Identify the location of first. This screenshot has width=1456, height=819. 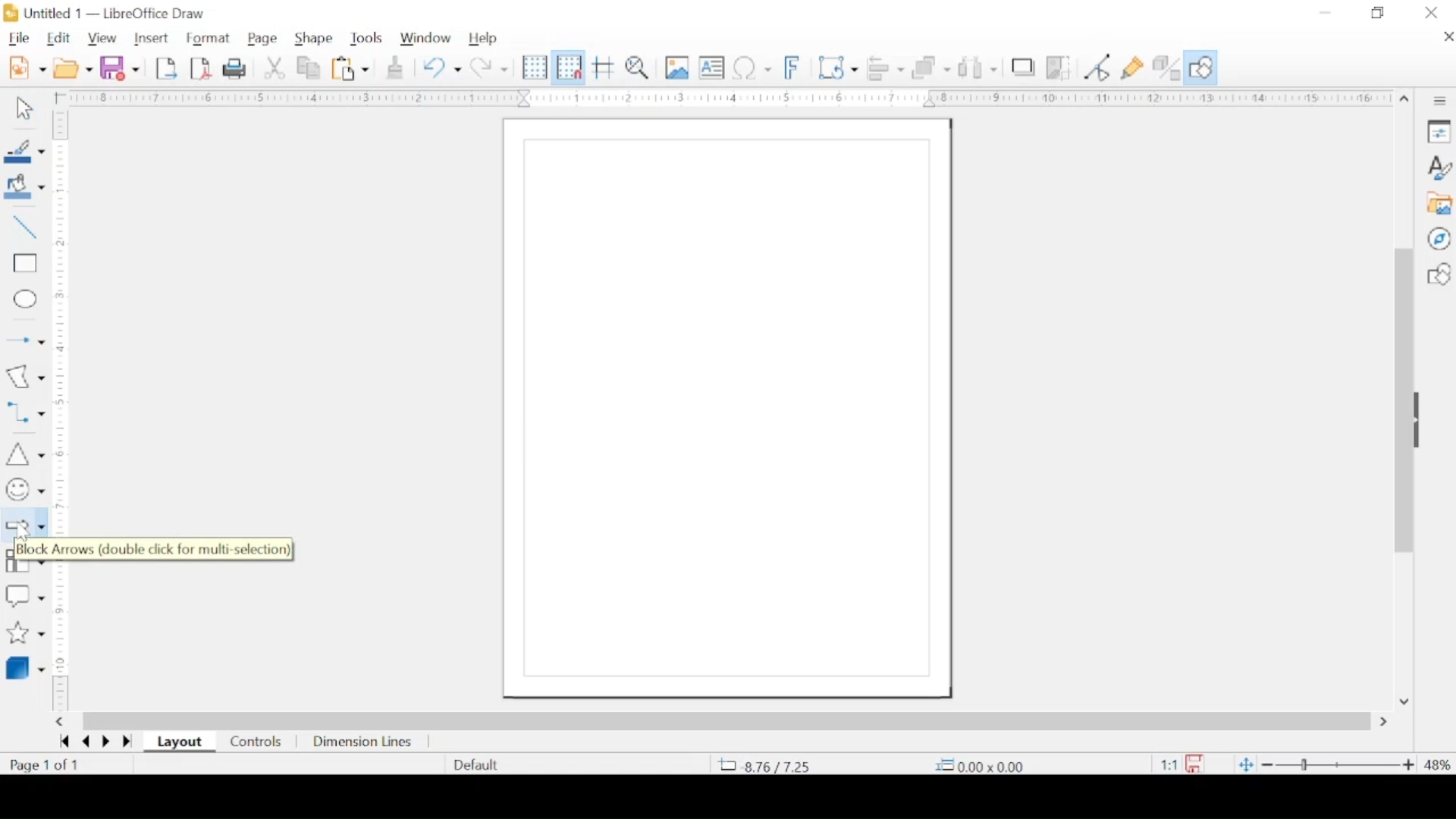
(64, 742).